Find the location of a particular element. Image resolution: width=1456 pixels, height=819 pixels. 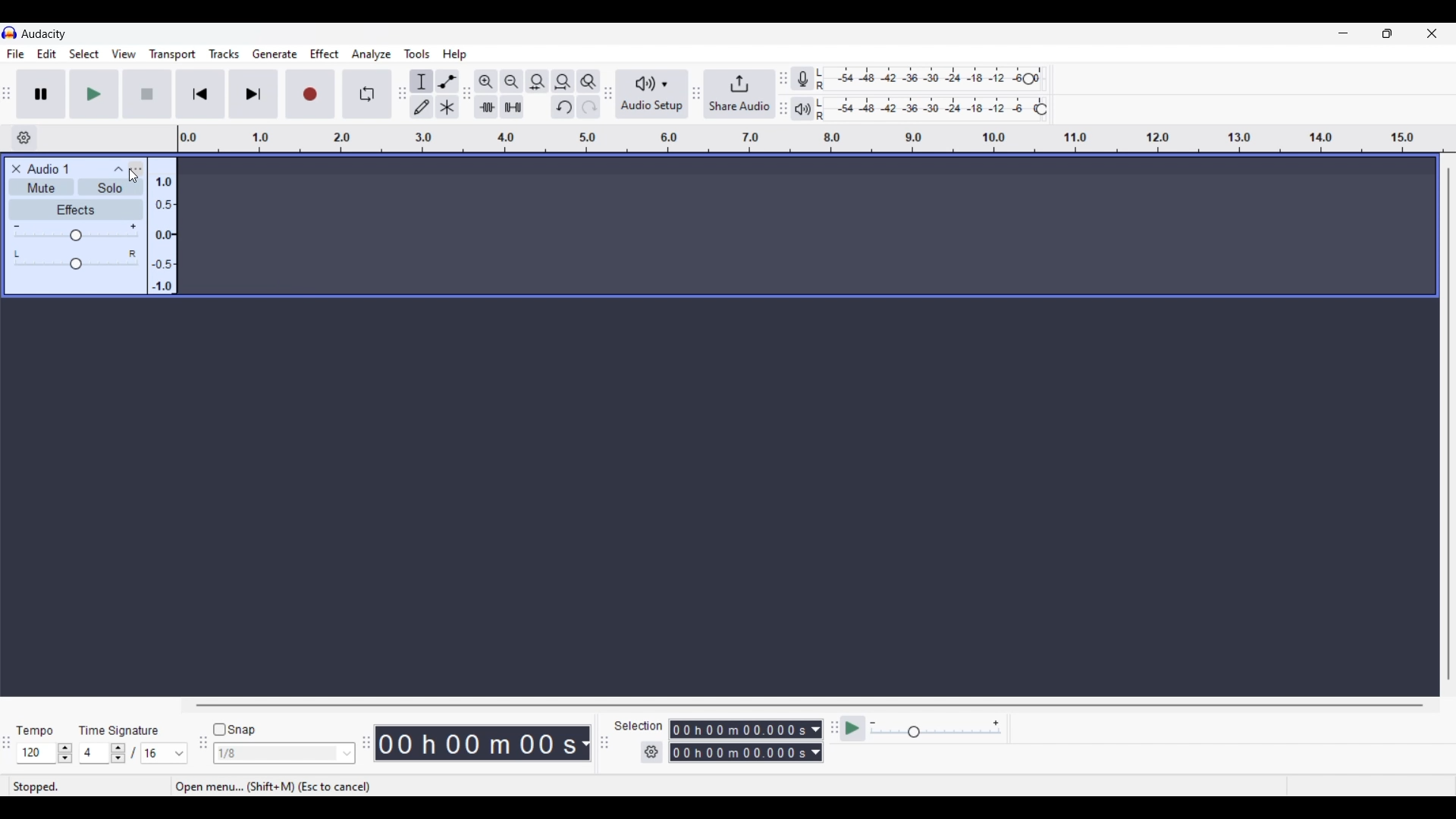

Metrics to calculate recording is located at coordinates (585, 743).